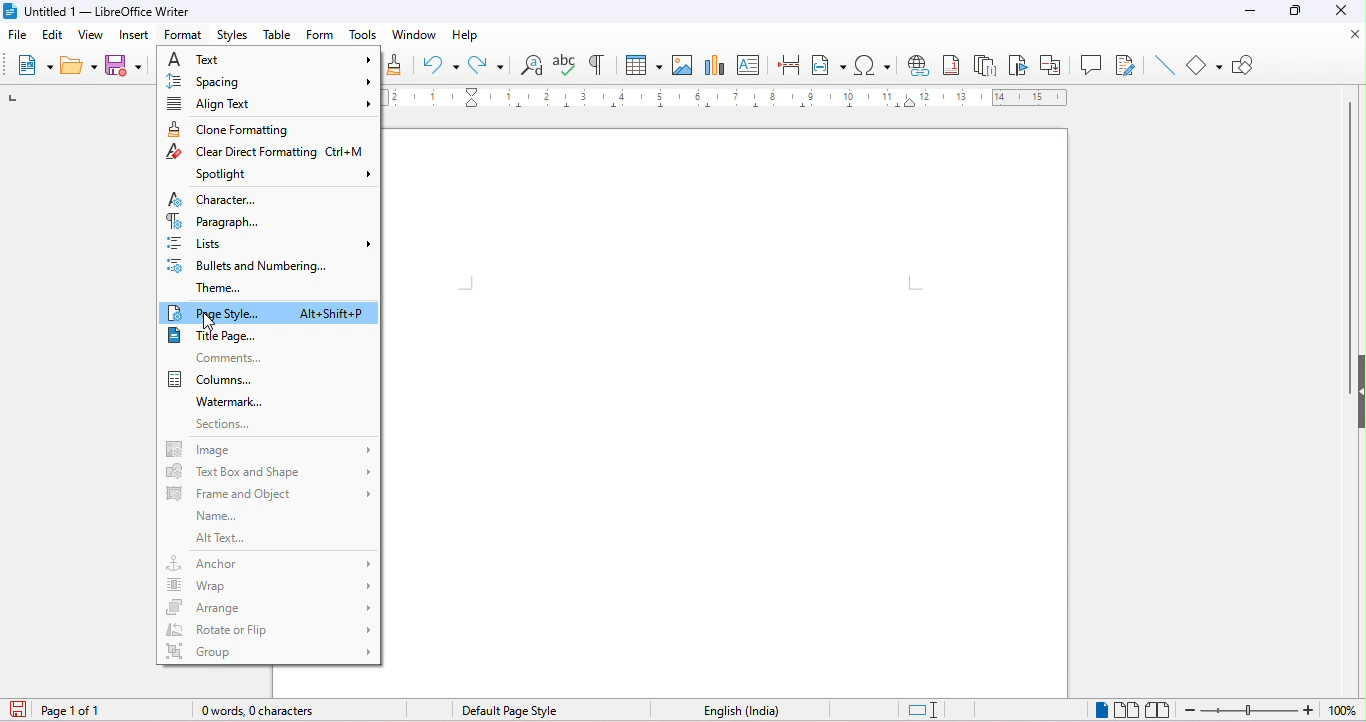  What do you see at coordinates (715, 64) in the screenshot?
I see `chart` at bounding box center [715, 64].